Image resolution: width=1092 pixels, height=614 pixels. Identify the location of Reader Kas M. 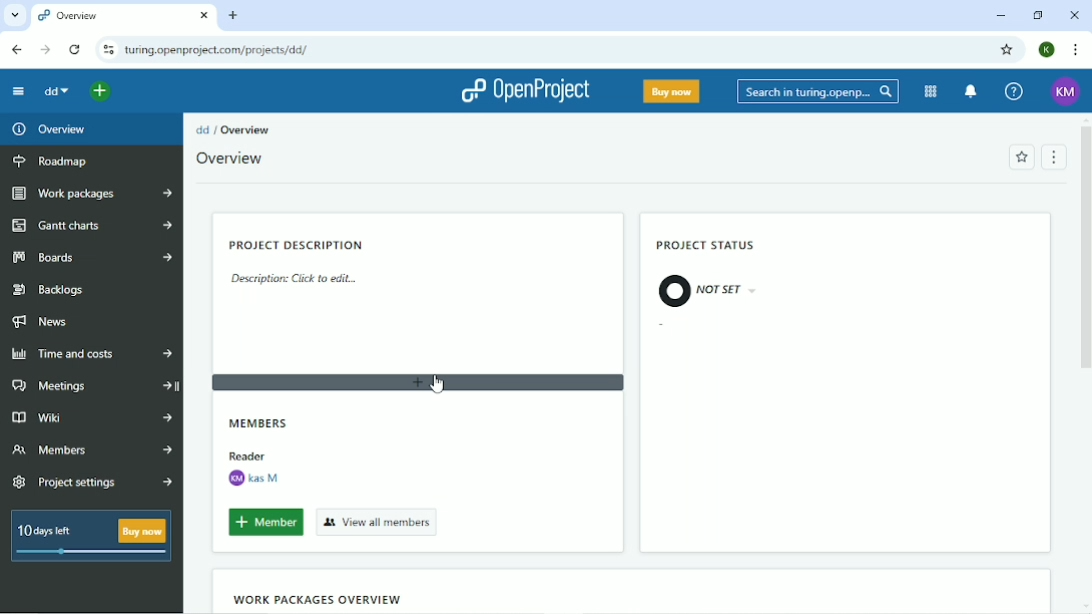
(257, 468).